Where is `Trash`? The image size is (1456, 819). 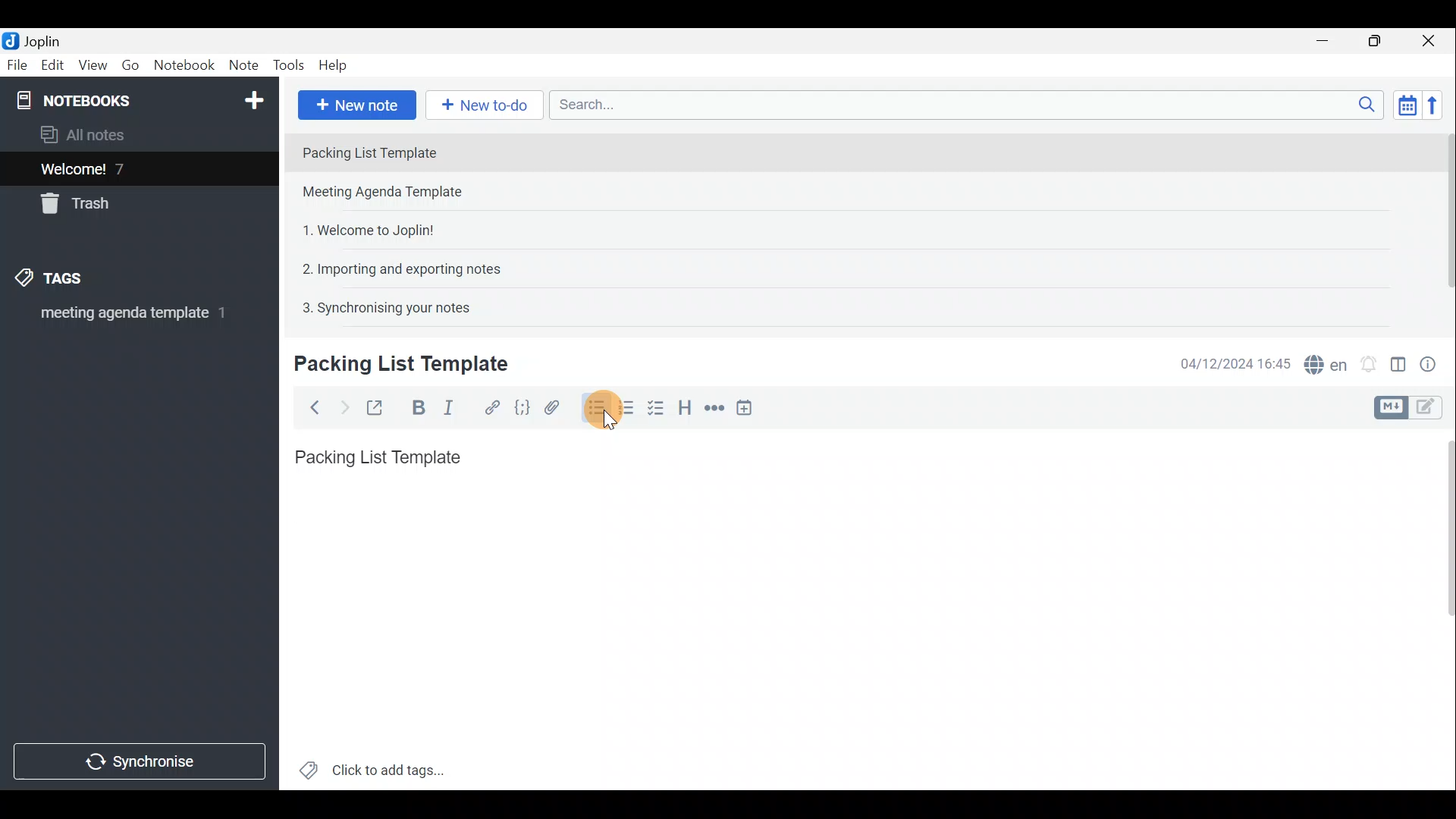 Trash is located at coordinates (81, 206).